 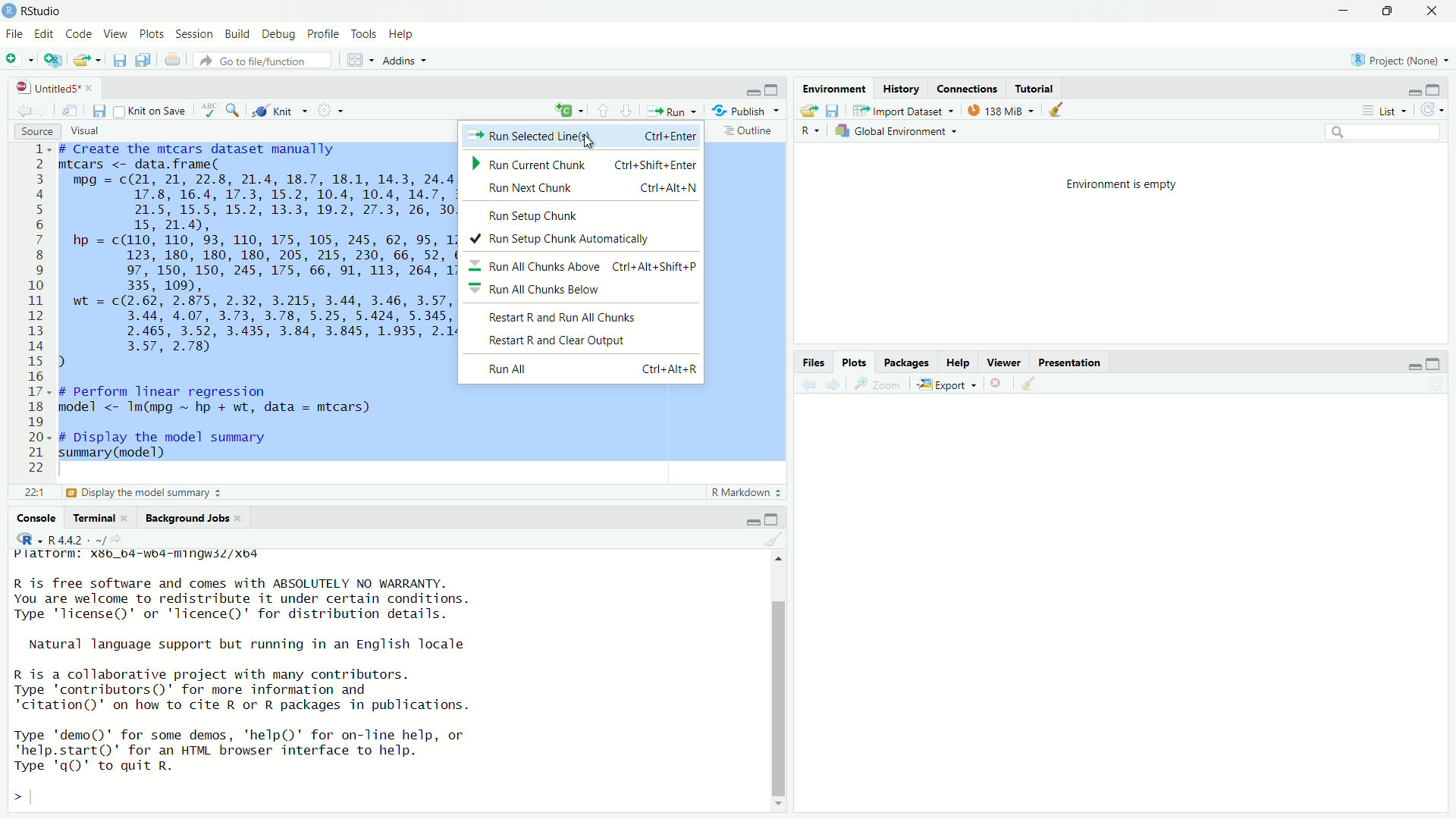 What do you see at coordinates (236, 111) in the screenshot?
I see `search` at bounding box center [236, 111].